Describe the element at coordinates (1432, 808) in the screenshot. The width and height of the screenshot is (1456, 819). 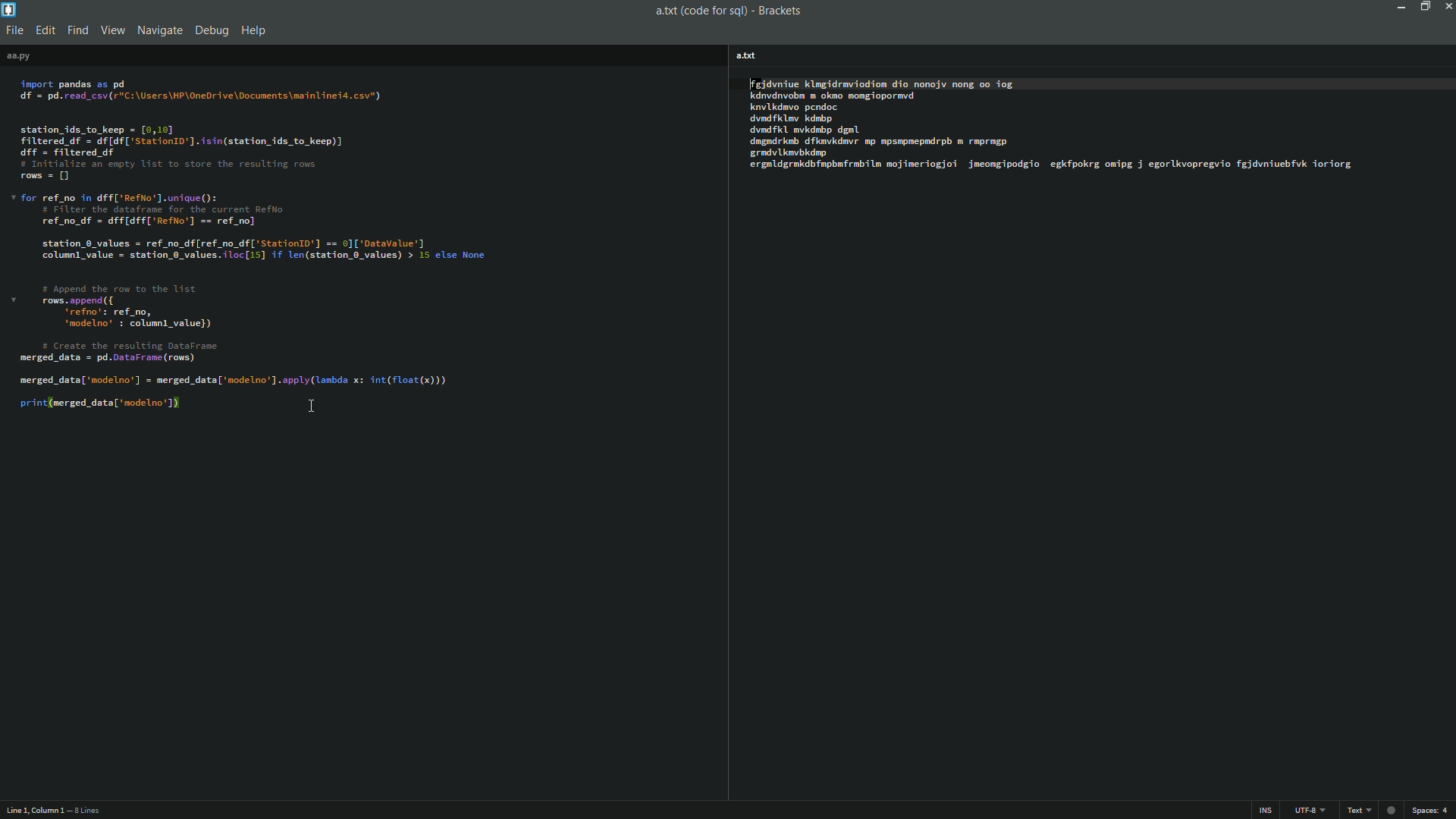
I see `space` at that location.